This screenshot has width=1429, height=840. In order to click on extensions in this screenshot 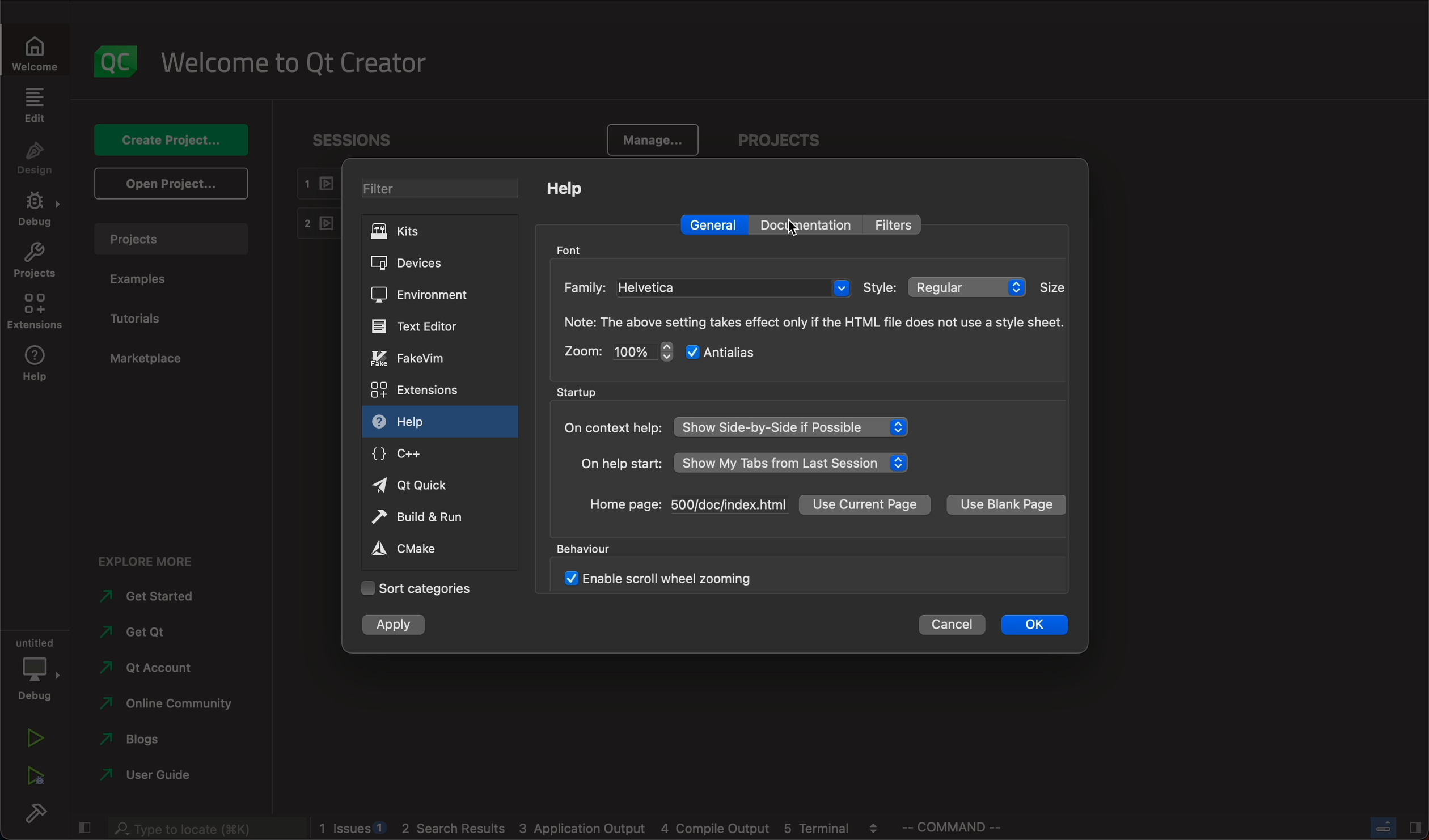, I will do `click(40, 311)`.